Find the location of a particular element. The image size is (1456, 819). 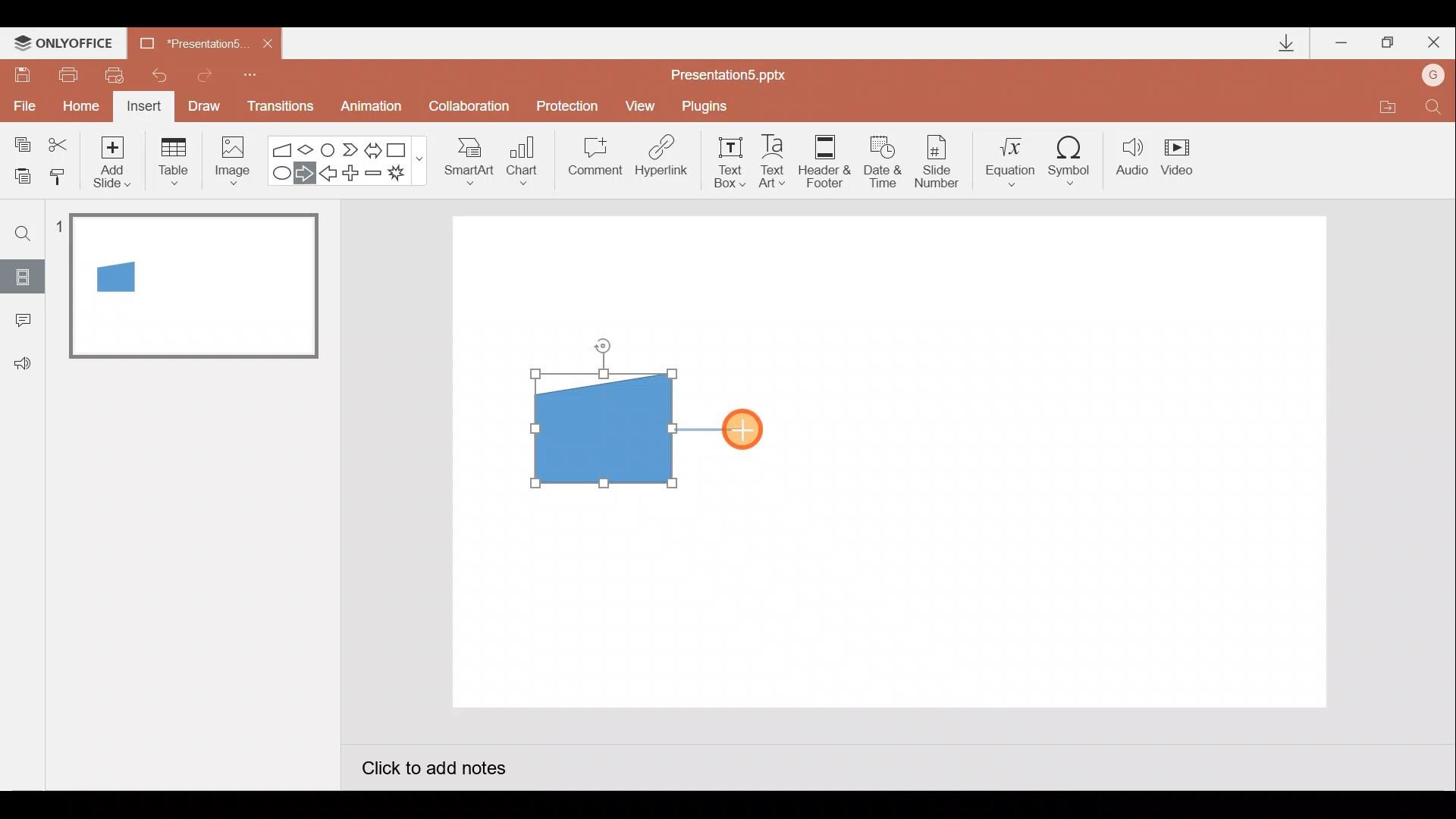

Downloads is located at coordinates (1284, 44).